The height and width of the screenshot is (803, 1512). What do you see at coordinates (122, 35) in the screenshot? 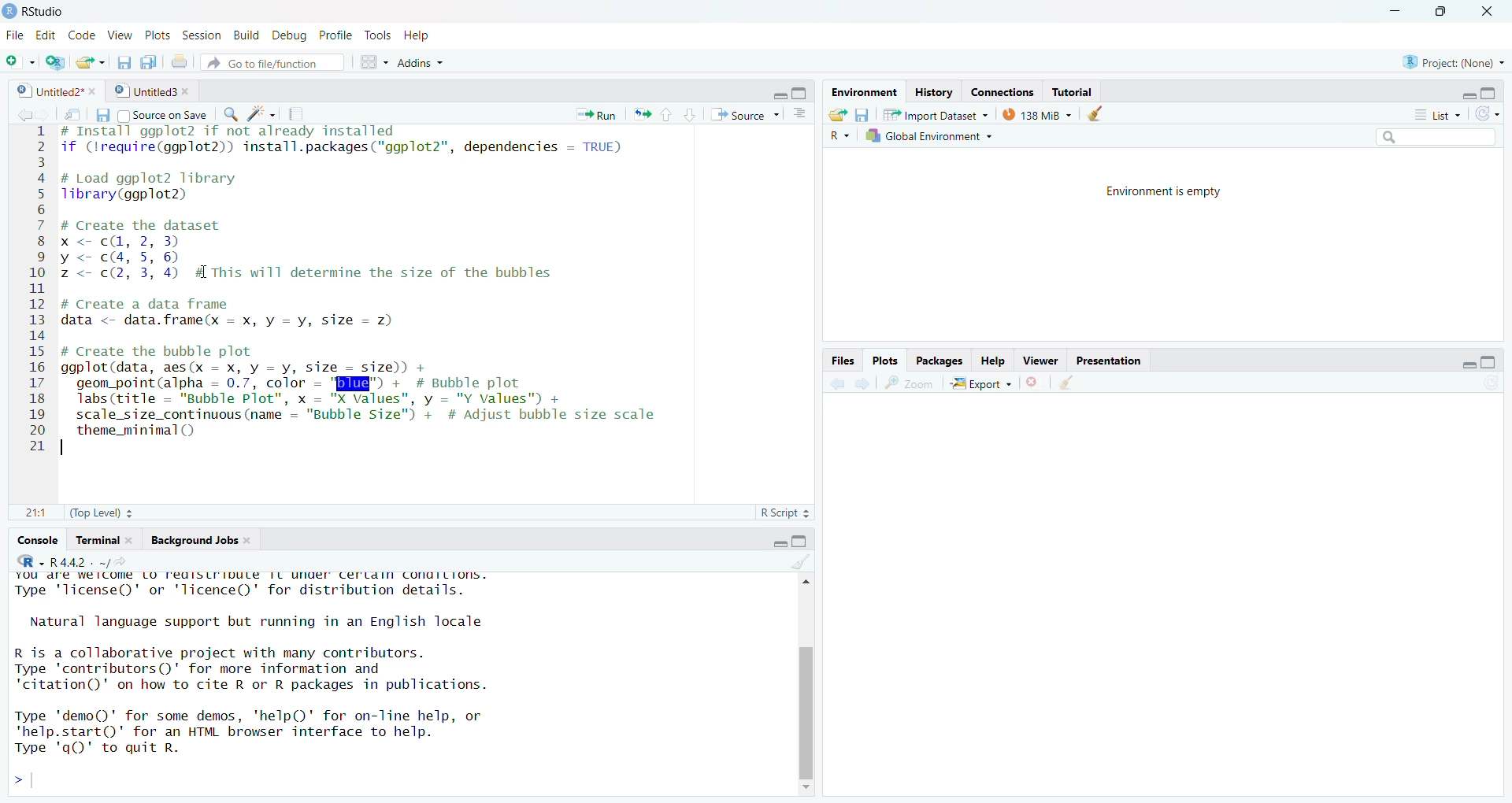
I see `> View` at bounding box center [122, 35].